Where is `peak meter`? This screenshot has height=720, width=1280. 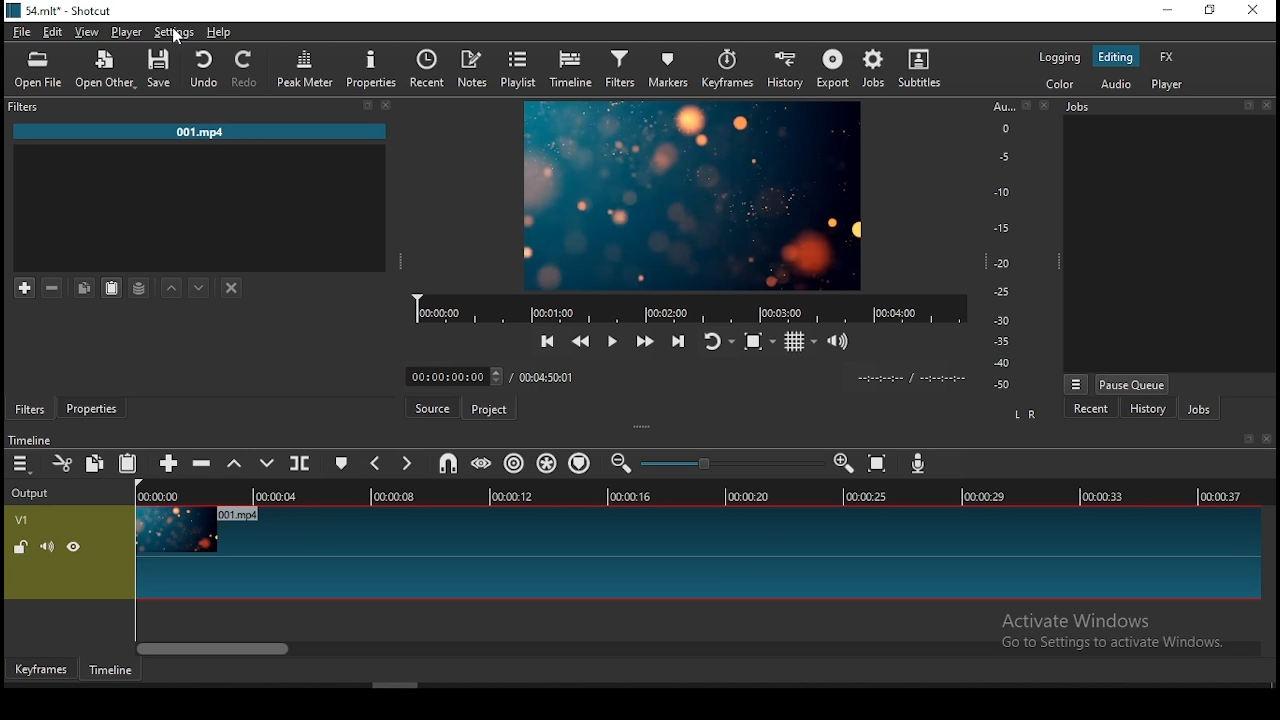
peak meter is located at coordinates (305, 69).